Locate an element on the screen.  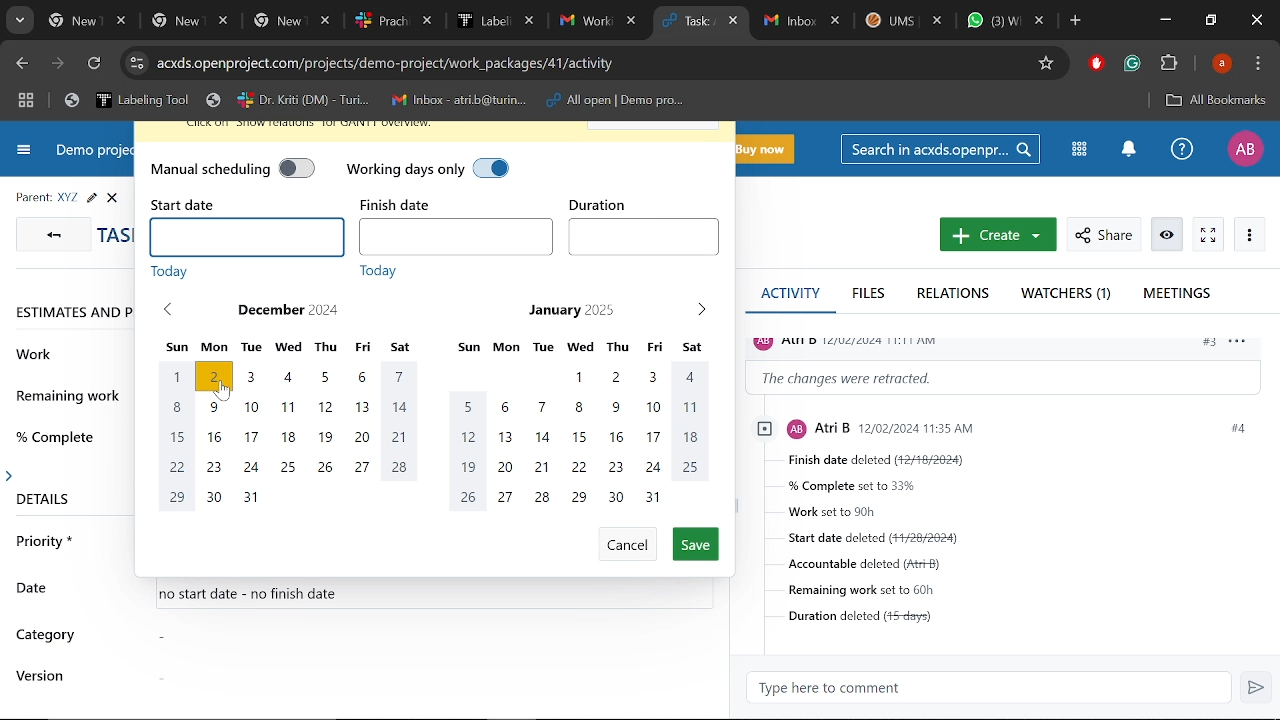
Restore down is located at coordinates (1212, 20).